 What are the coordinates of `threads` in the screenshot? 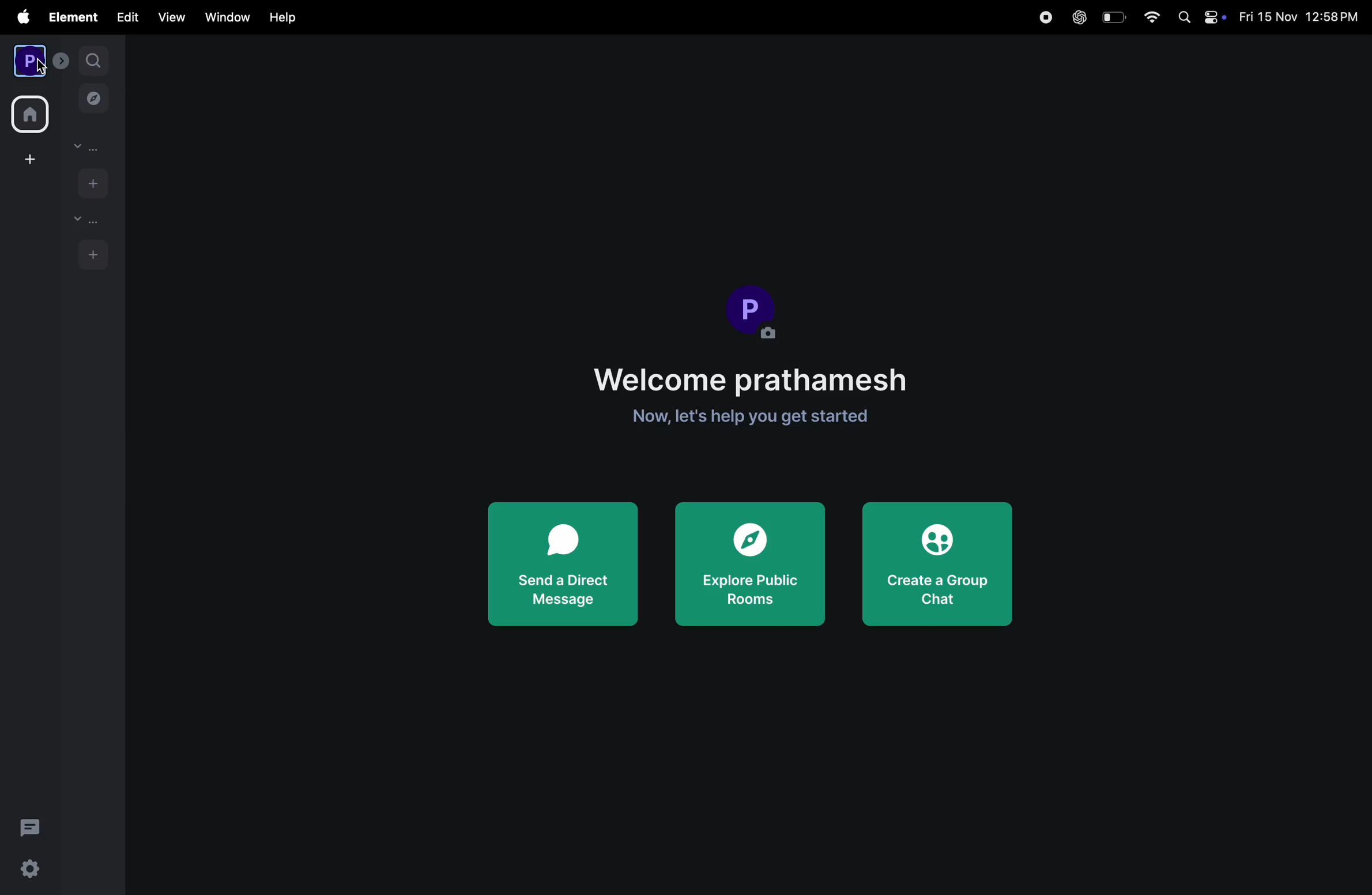 It's located at (31, 826).